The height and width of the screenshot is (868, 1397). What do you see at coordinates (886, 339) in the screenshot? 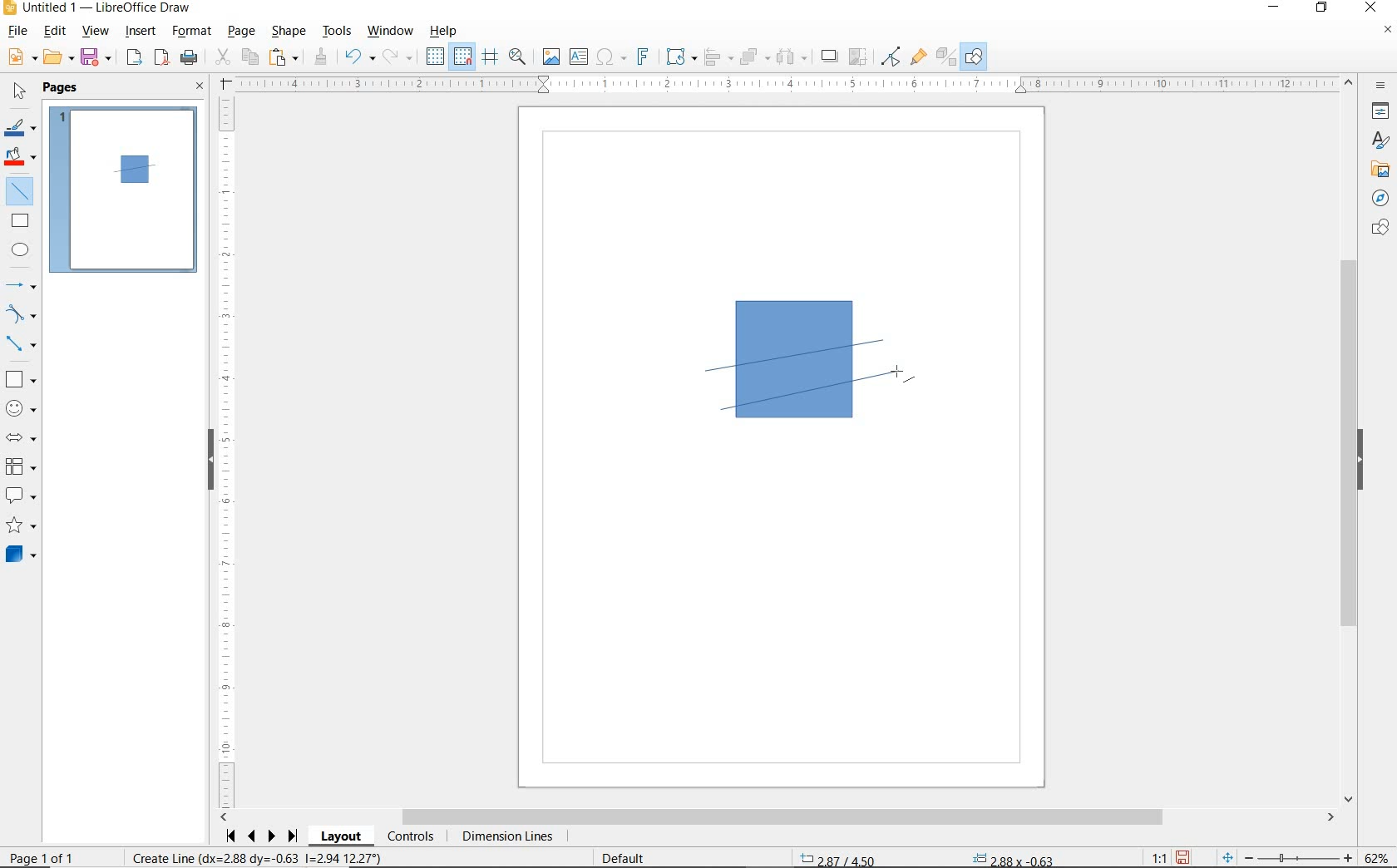
I see `LINE TOOL AT DRAG` at bounding box center [886, 339].